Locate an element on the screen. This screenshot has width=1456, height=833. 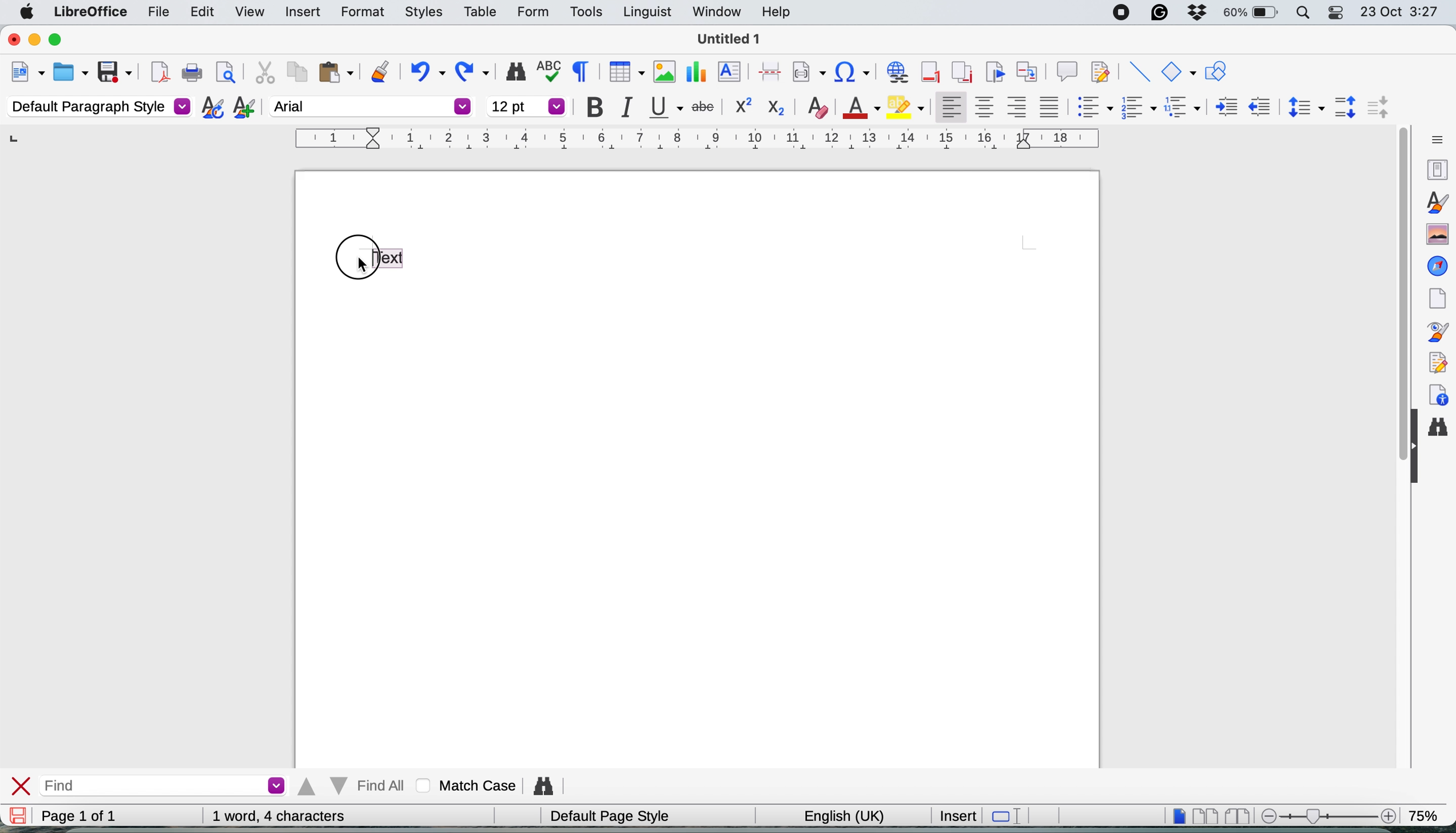
default paragraph style is located at coordinates (97, 108).